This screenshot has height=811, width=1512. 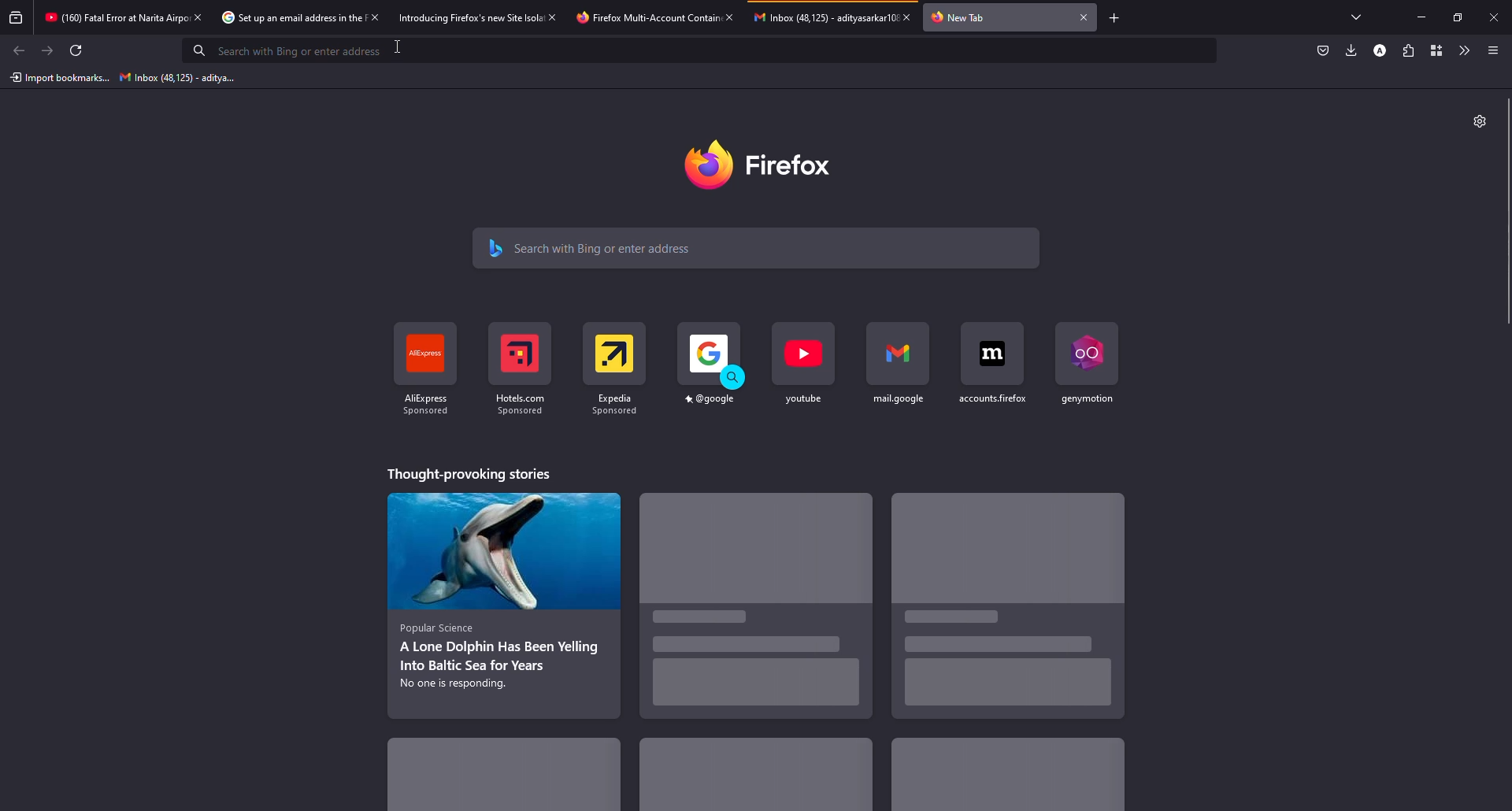 I want to click on close, so click(x=907, y=17).